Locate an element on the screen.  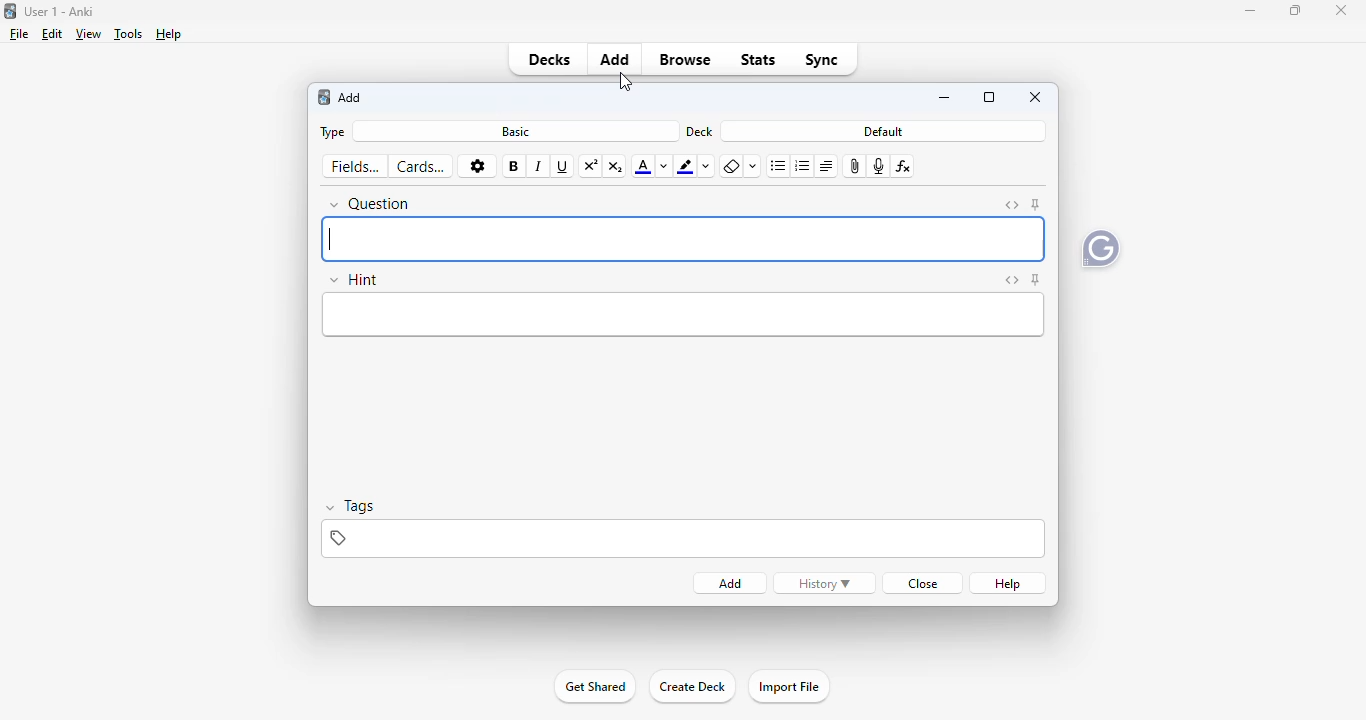
create deck is located at coordinates (692, 687).